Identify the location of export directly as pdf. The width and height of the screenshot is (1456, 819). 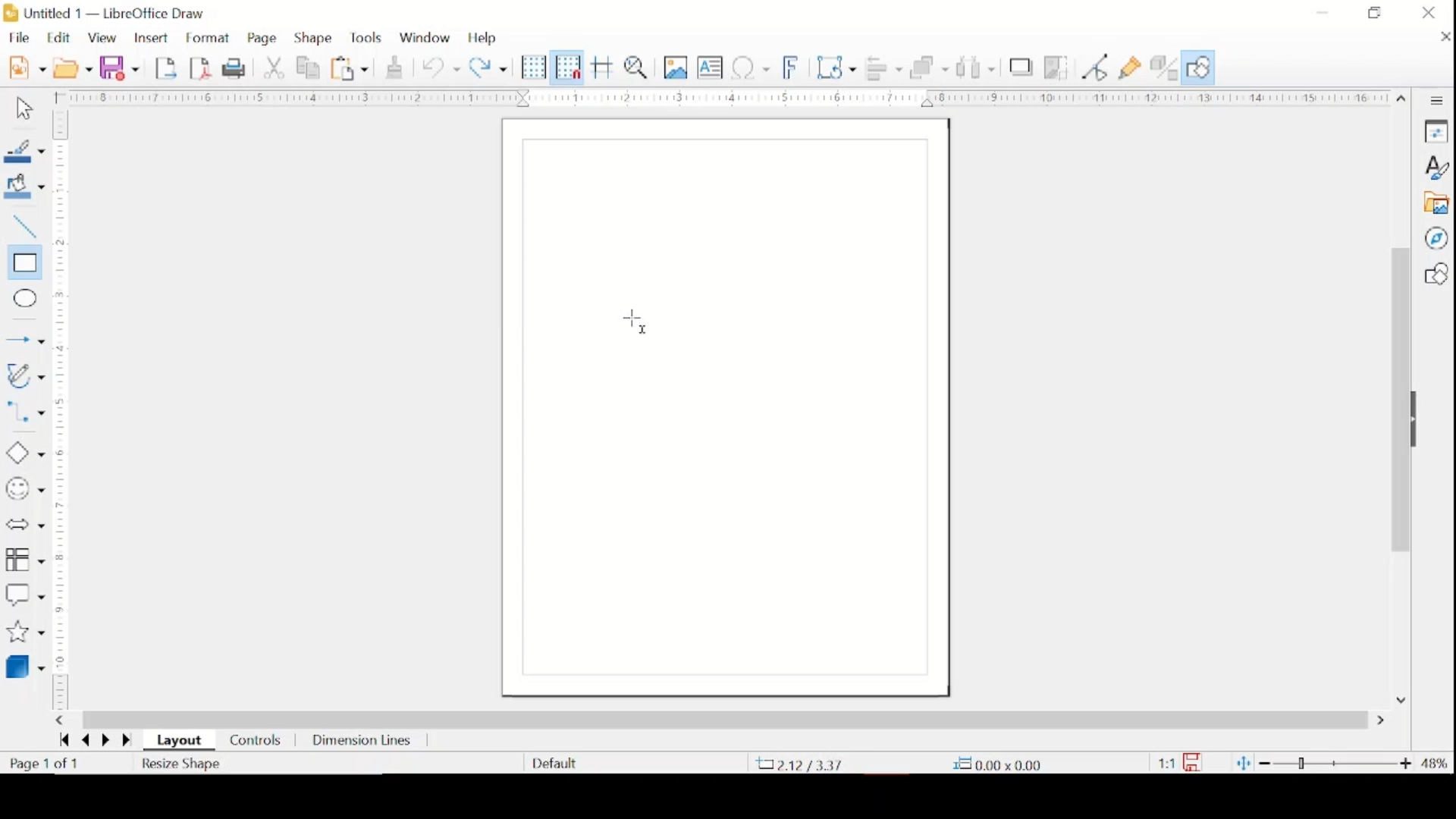
(201, 67).